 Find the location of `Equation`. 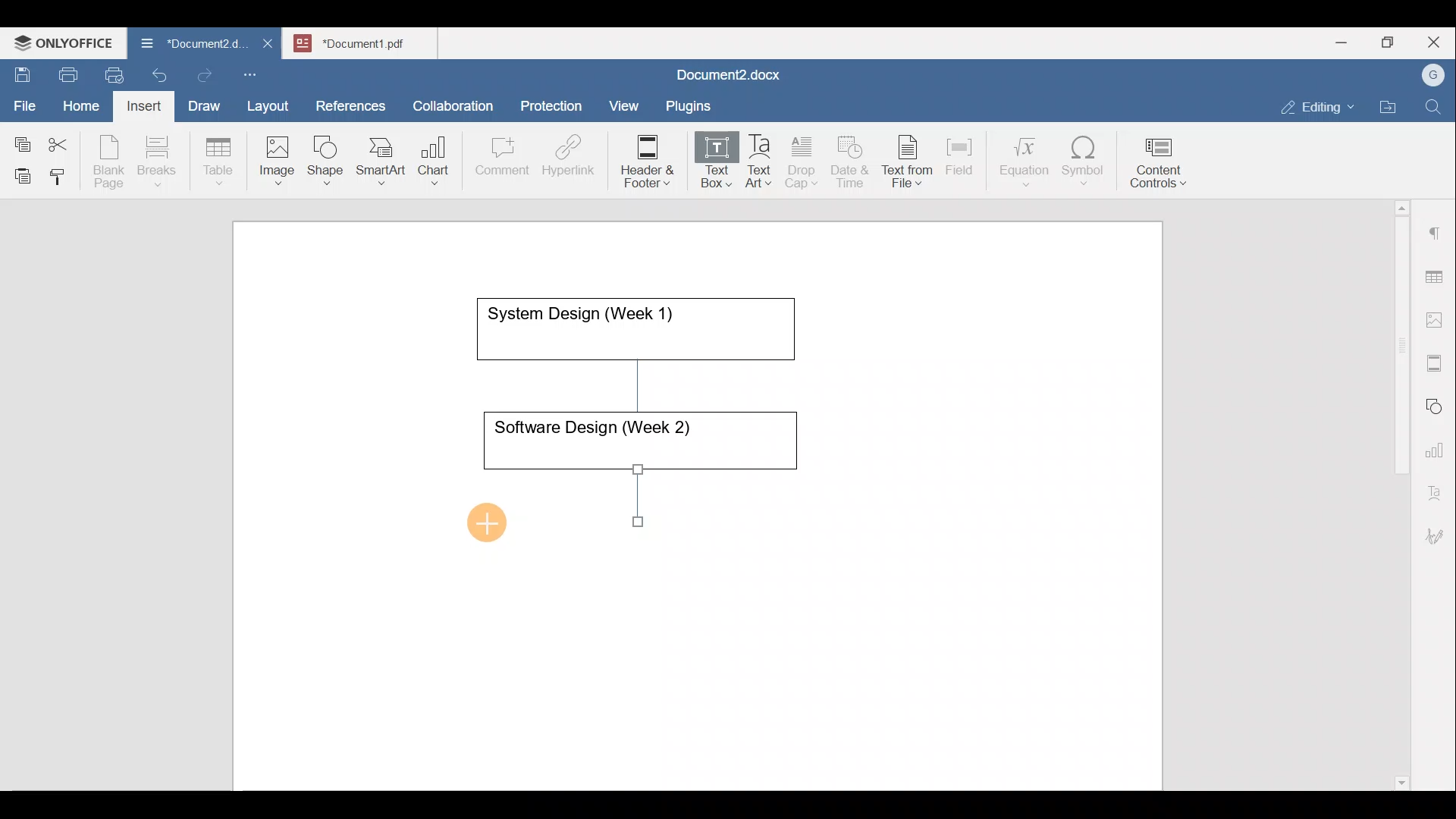

Equation is located at coordinates (1028, 161).